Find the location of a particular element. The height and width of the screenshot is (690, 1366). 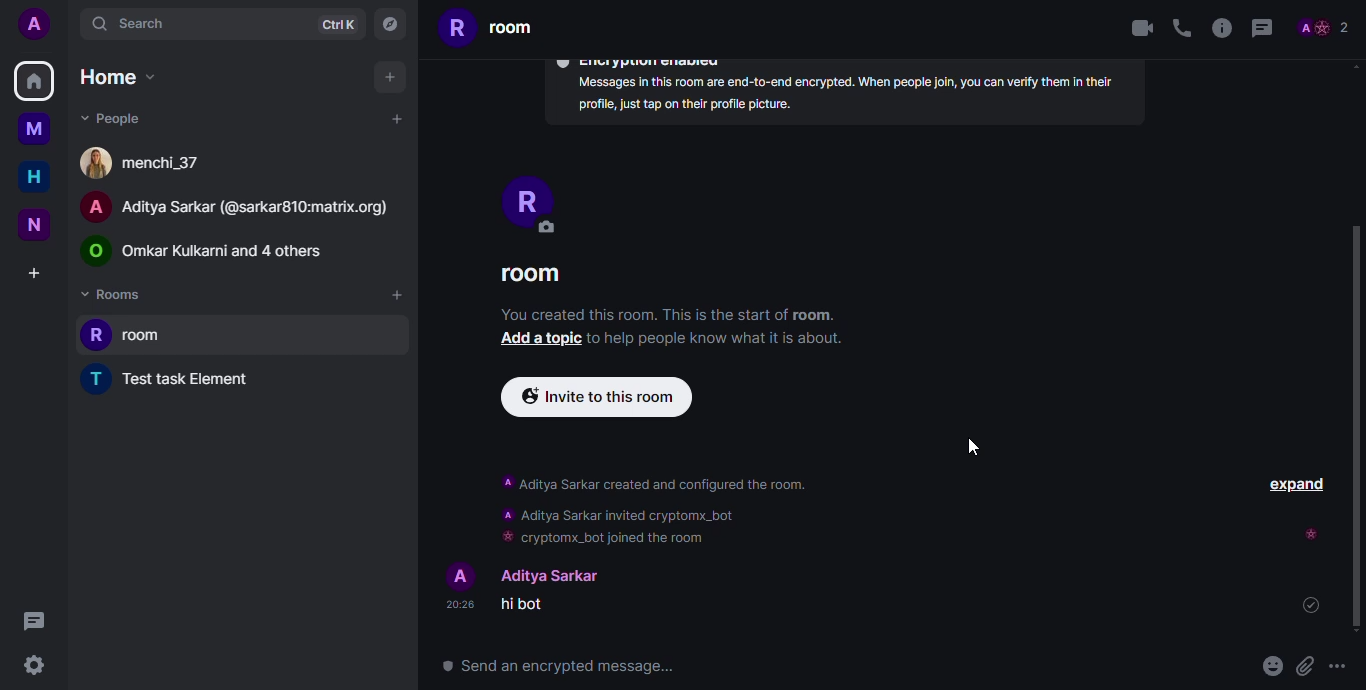

cryptomx_bot joined the room is located at coordinates (598, 540).